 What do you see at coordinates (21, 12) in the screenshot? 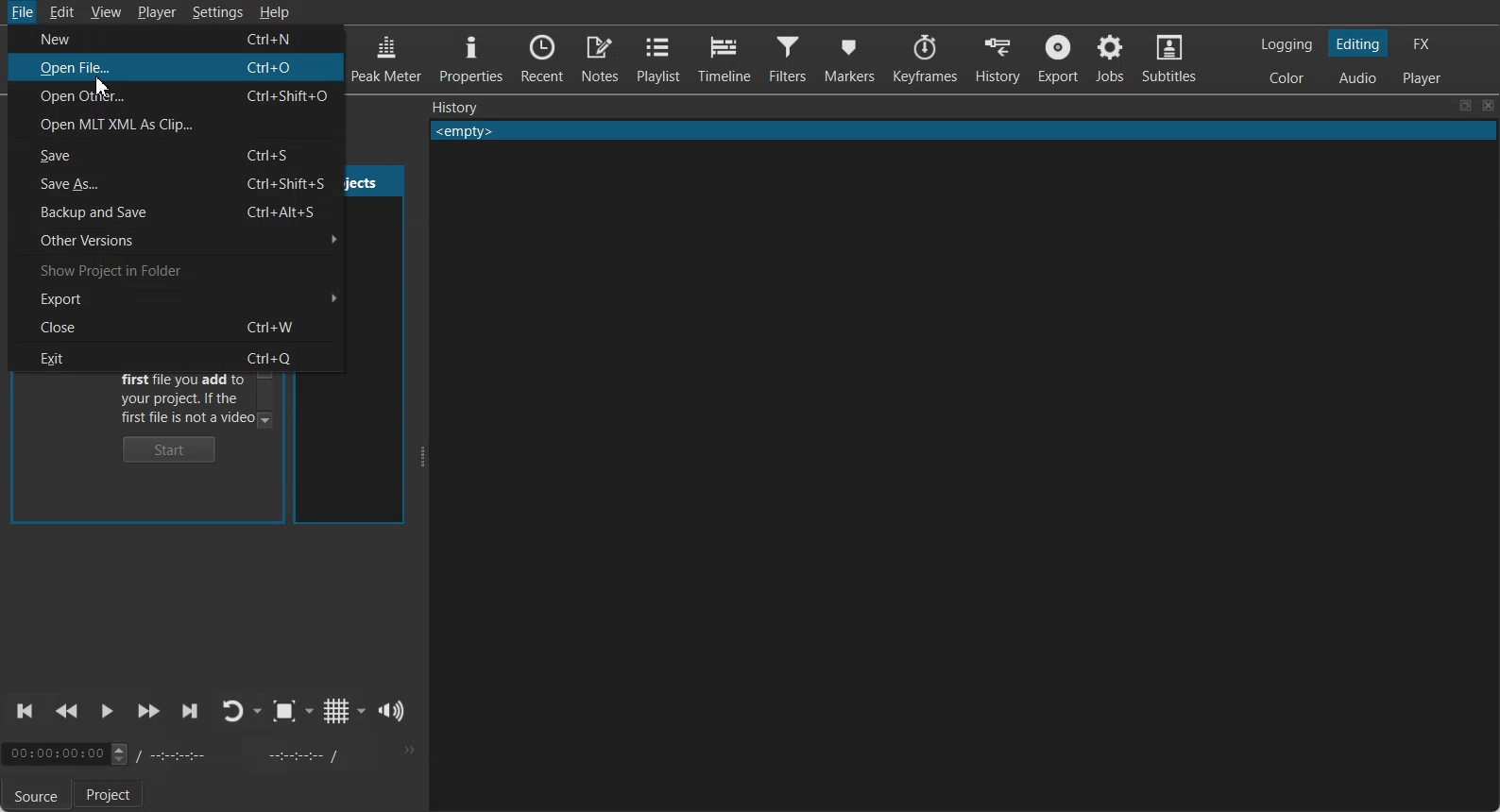
I see `File` at bounding box center [21, 12].